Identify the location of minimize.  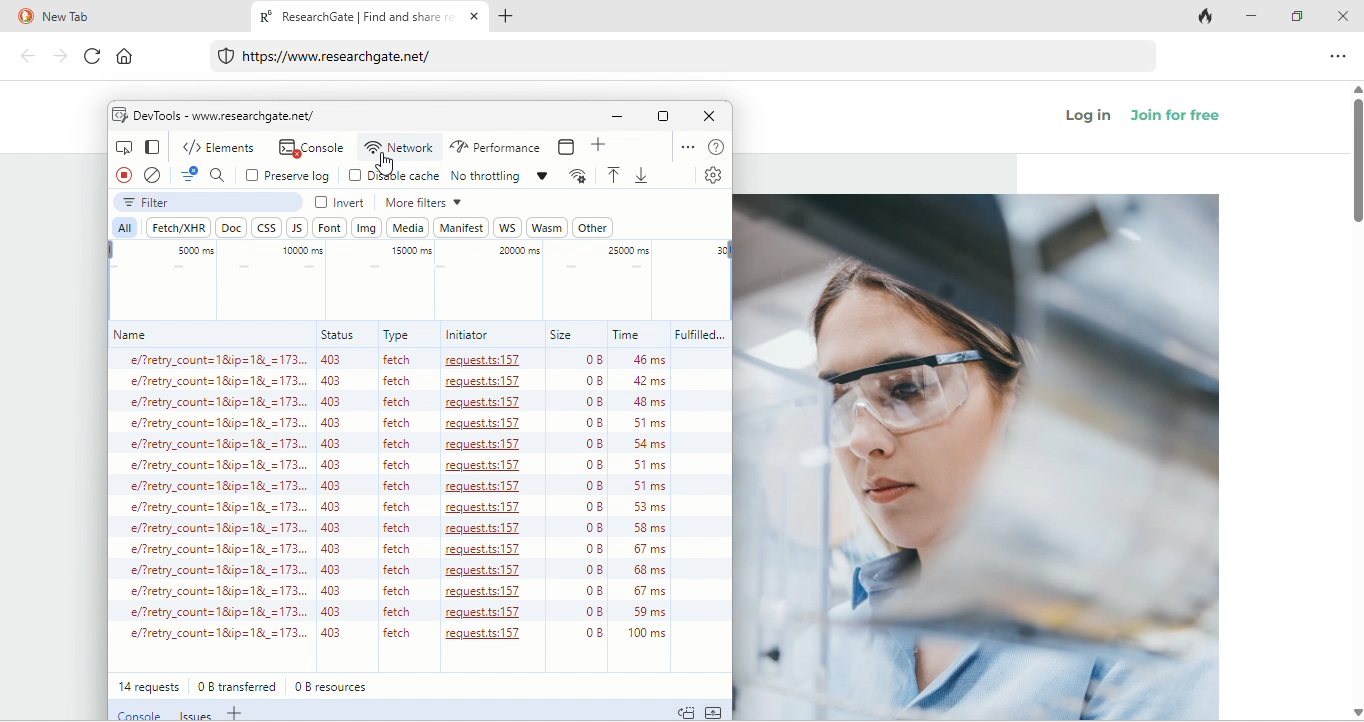
(1256, 17).